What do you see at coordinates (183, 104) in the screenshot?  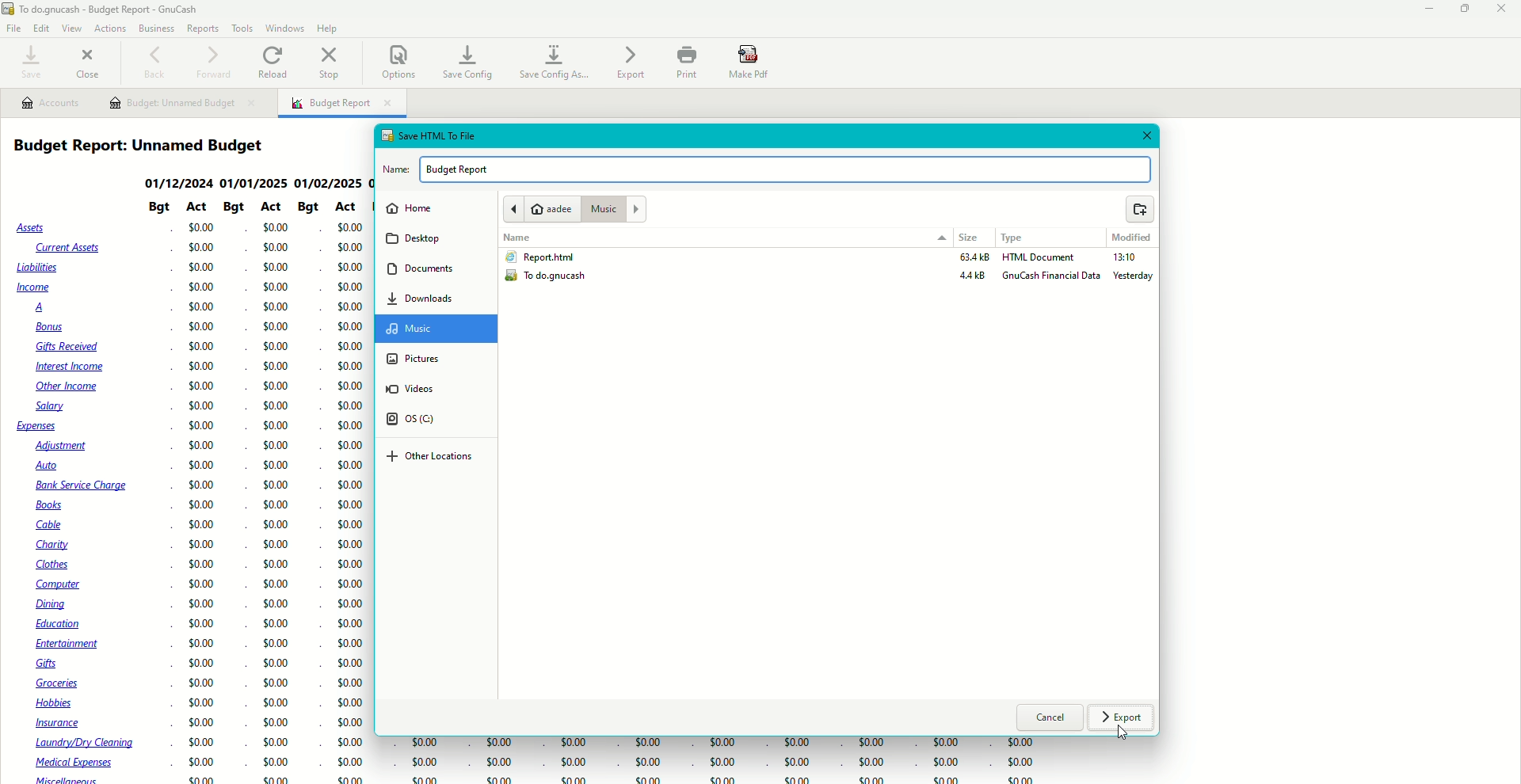 I see `Unnamed Budget` at bounding box center [183, 104].